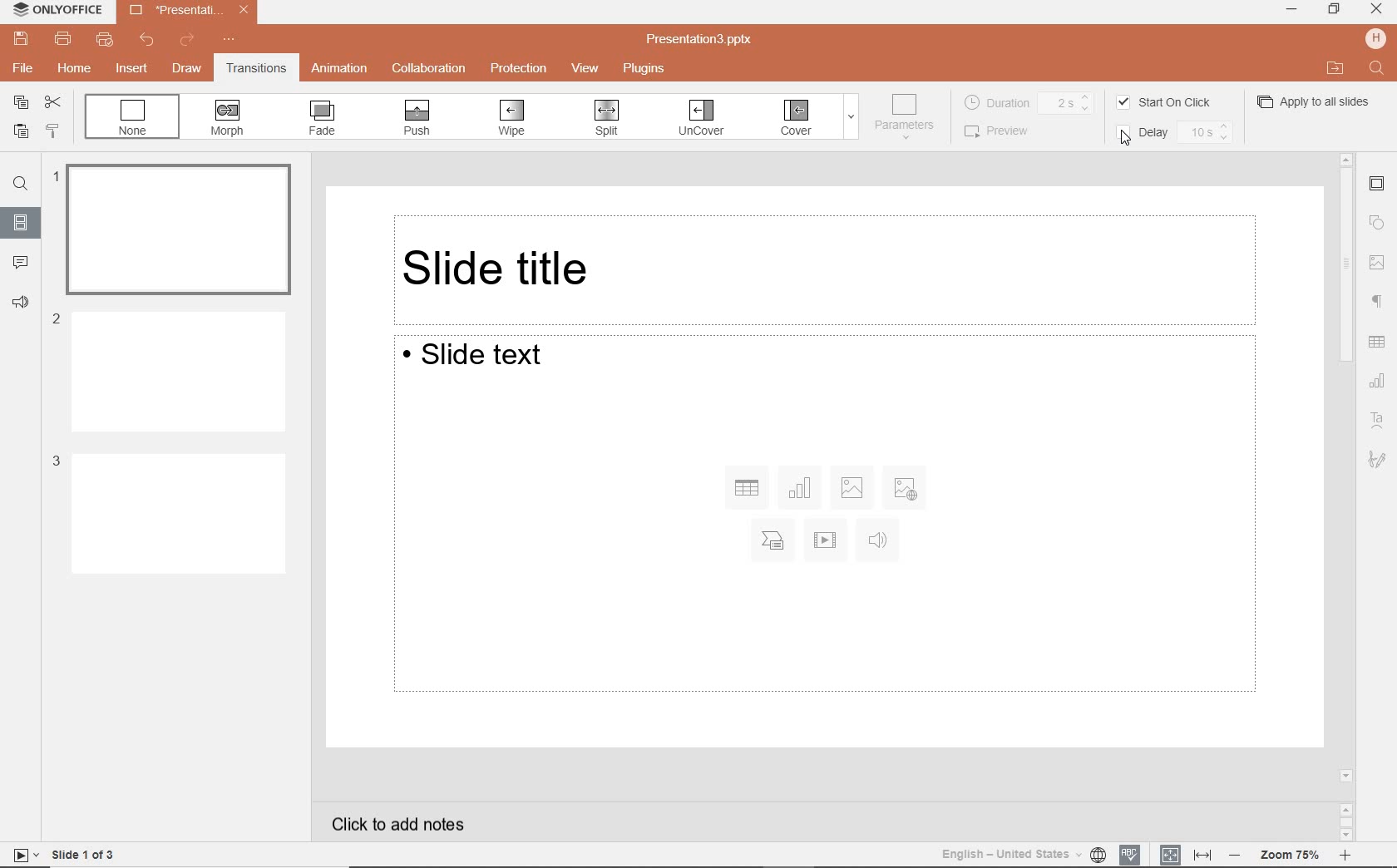 This screenshot has width=1397, height=868. Describe the element at coordinates (700, 121) in the screenshot. I see `UNCOVER` at that location.